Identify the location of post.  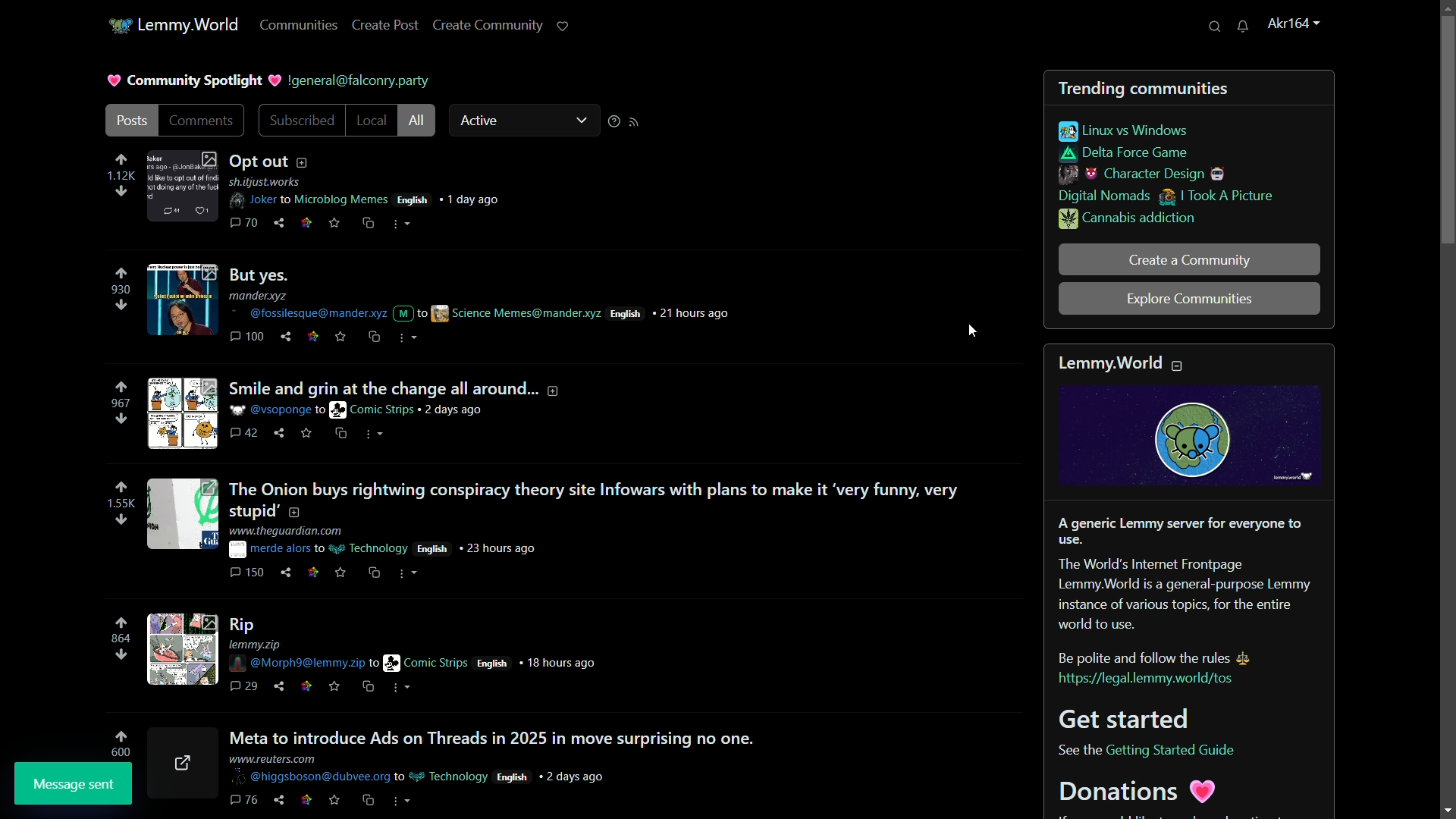
(130, 121).